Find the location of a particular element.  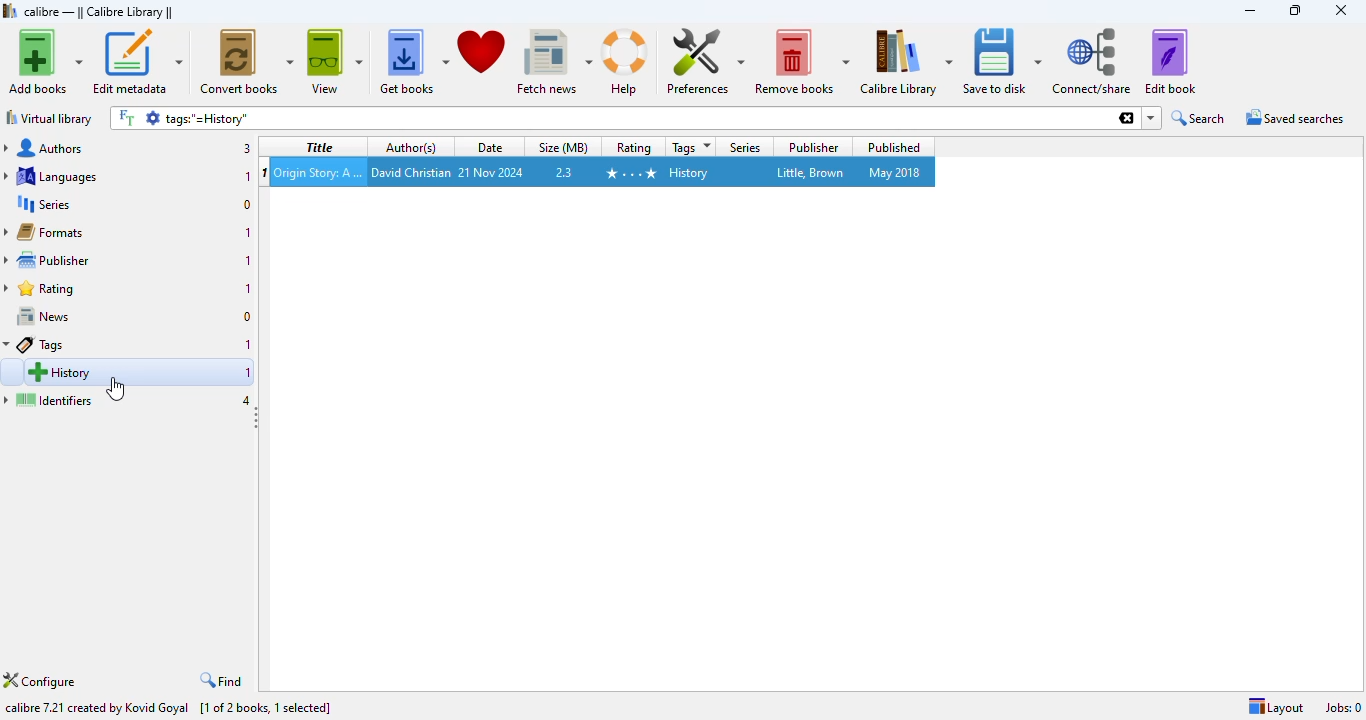

series is located at coordinates (42, 203).